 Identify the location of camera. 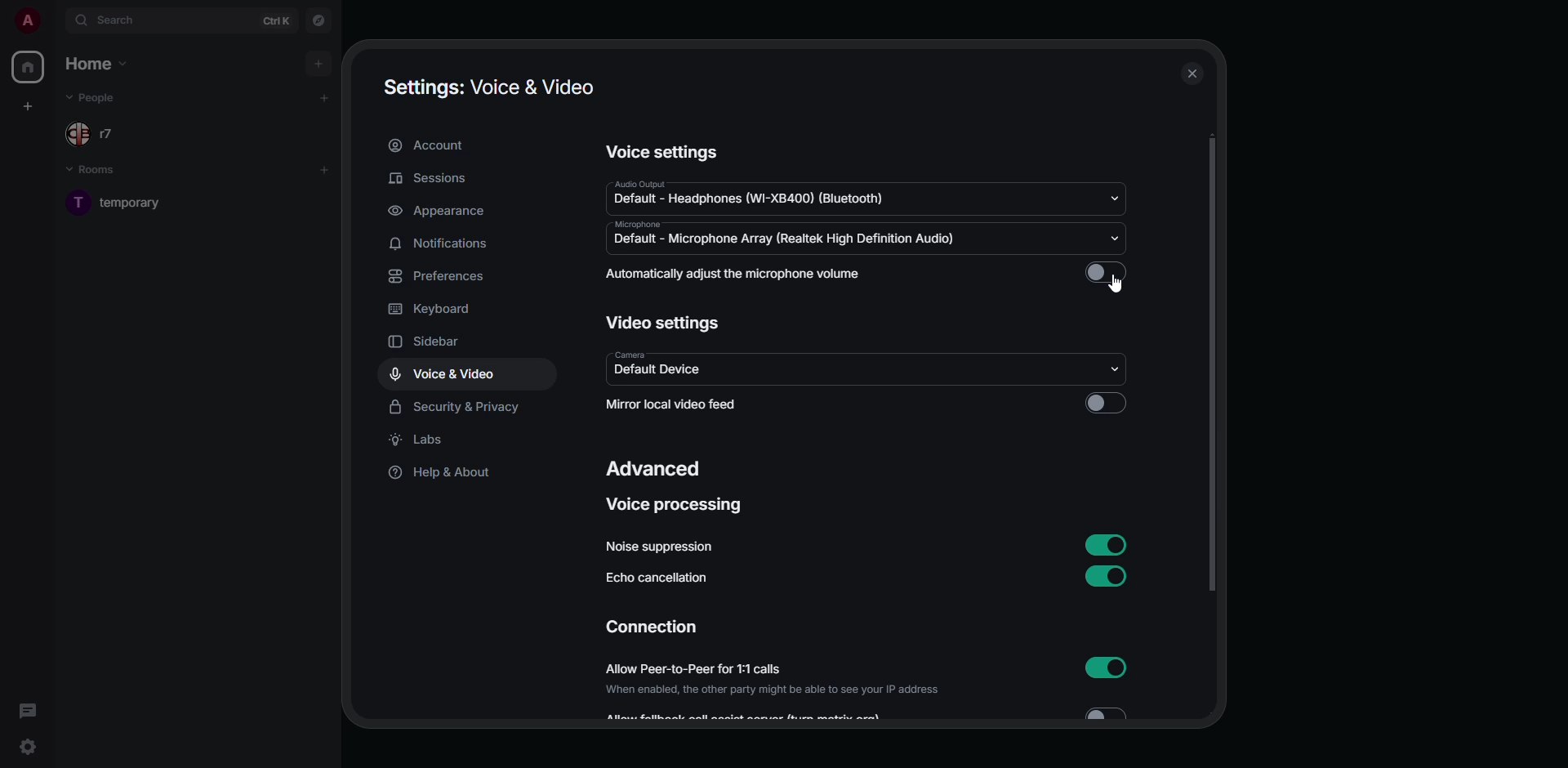
(662, 366).